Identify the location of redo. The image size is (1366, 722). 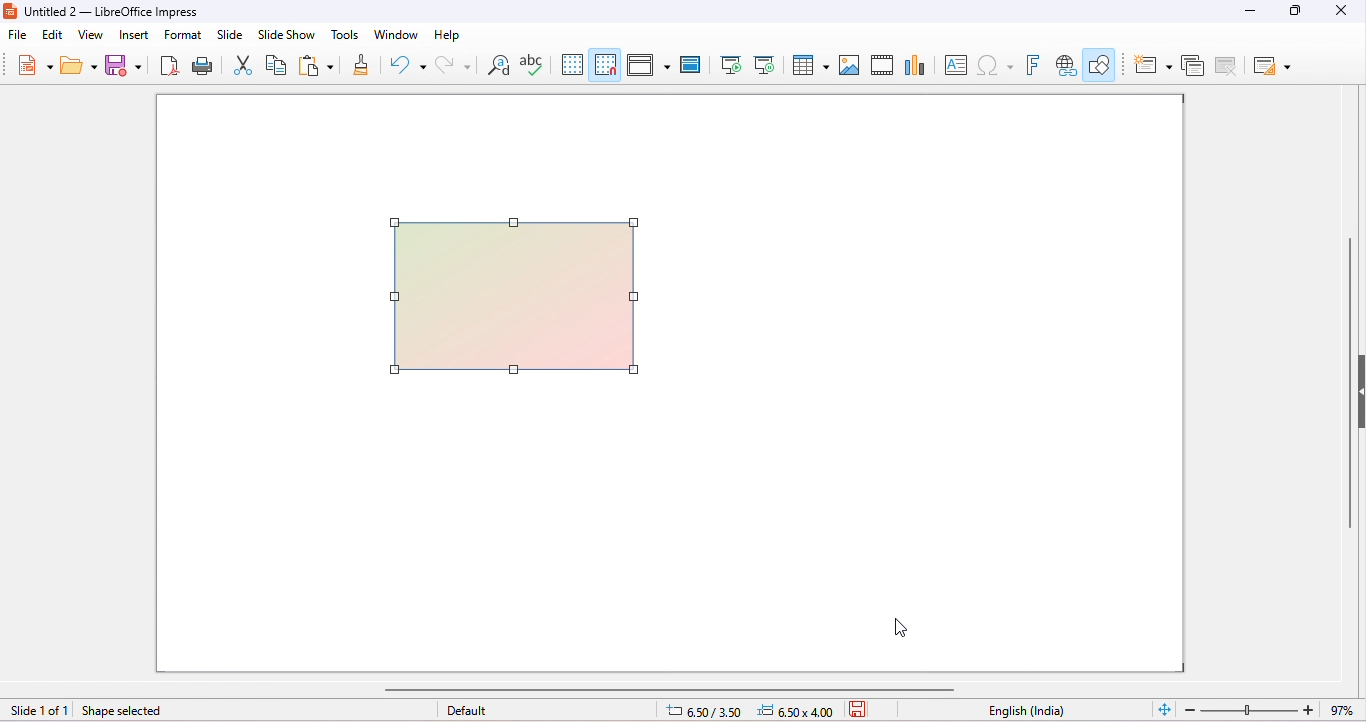
(456, 67).